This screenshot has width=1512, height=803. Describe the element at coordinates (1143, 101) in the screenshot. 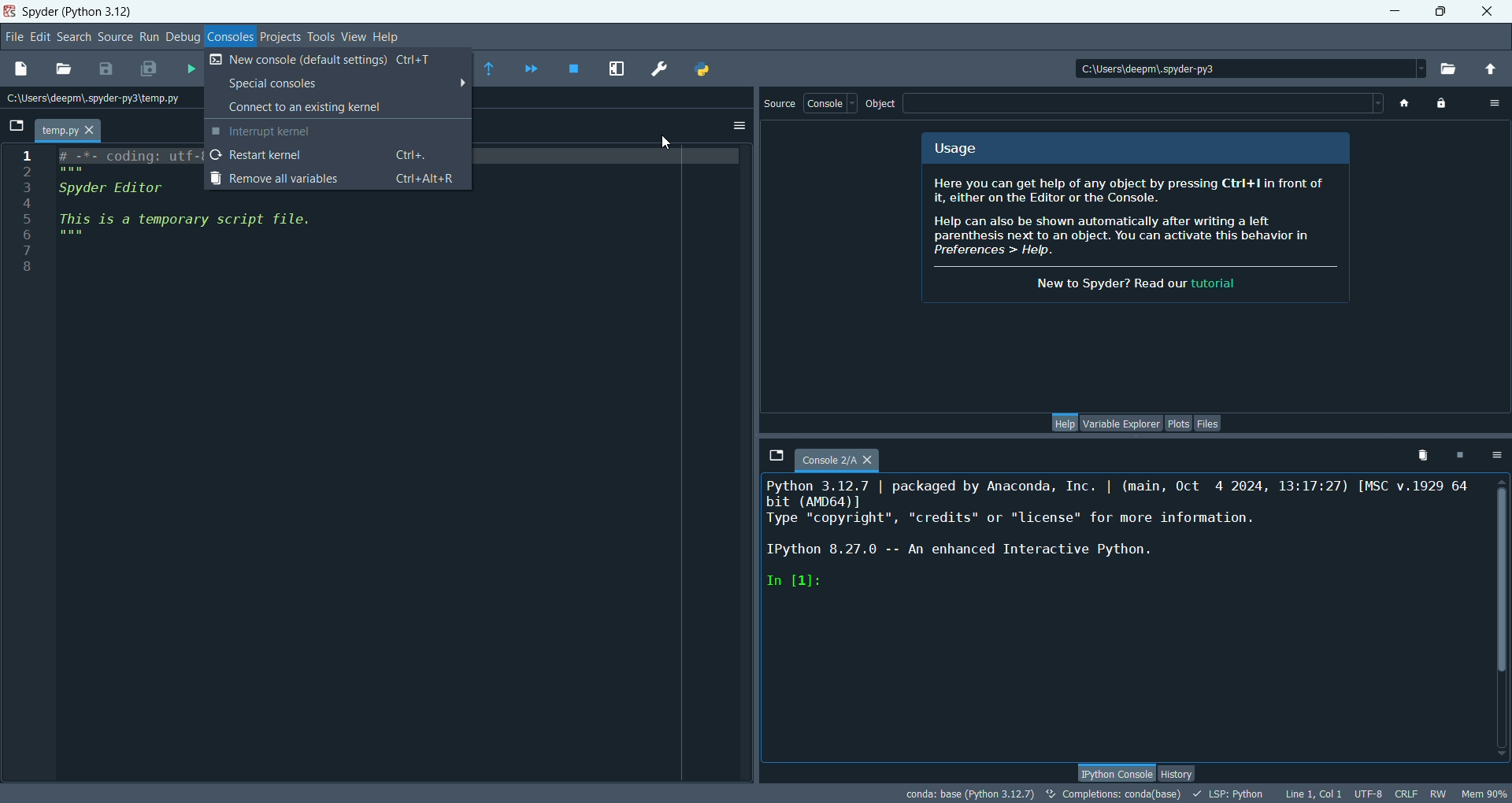

I see `blank space` at that location.